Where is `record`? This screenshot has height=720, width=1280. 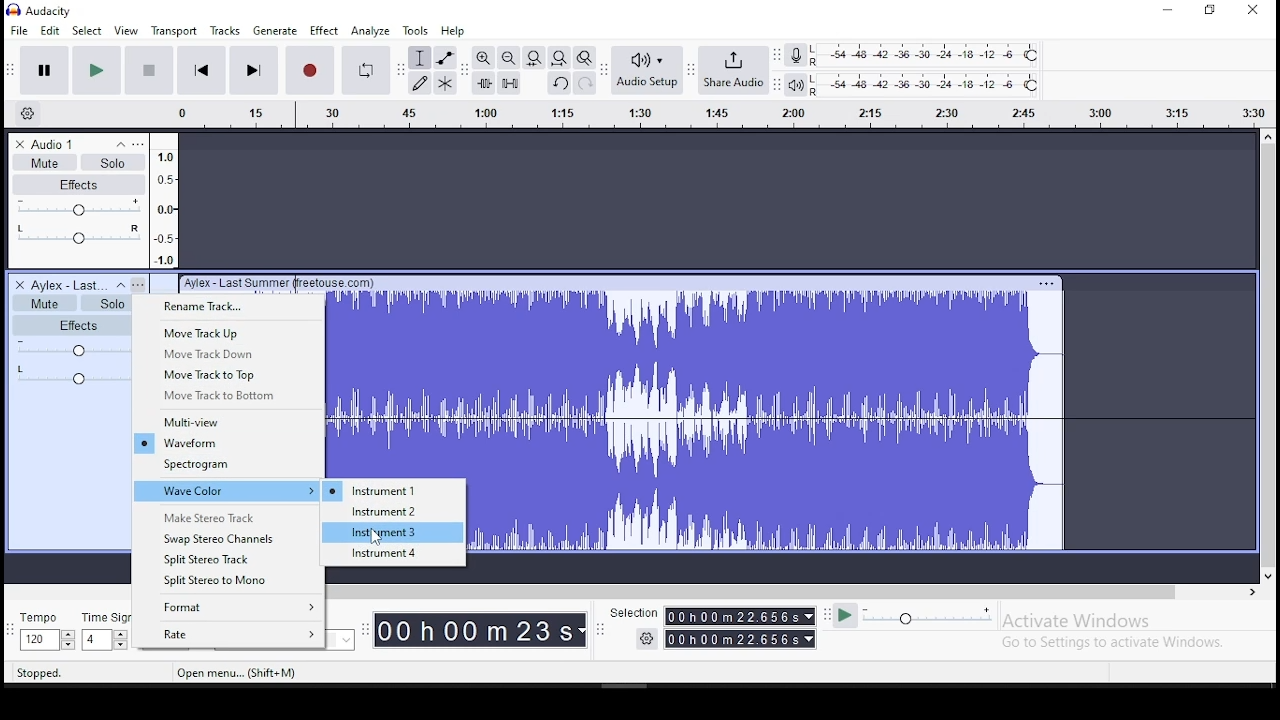 record is located at coordinates (309, 70).